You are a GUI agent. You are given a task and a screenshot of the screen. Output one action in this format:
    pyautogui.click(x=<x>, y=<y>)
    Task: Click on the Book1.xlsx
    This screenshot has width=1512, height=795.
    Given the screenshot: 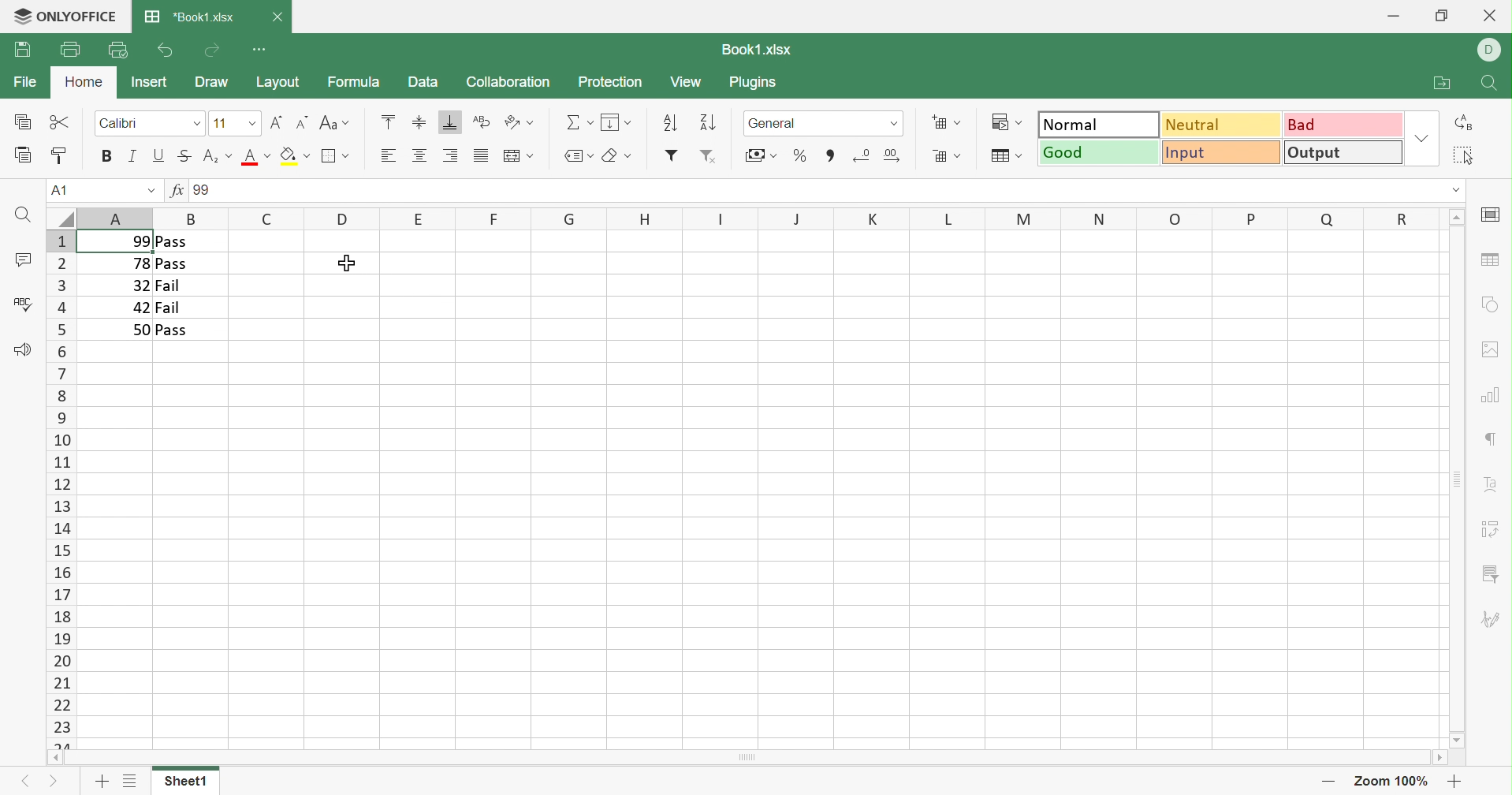 What is the action you would take?
    pyautogui.click(x=755, y=50)
    